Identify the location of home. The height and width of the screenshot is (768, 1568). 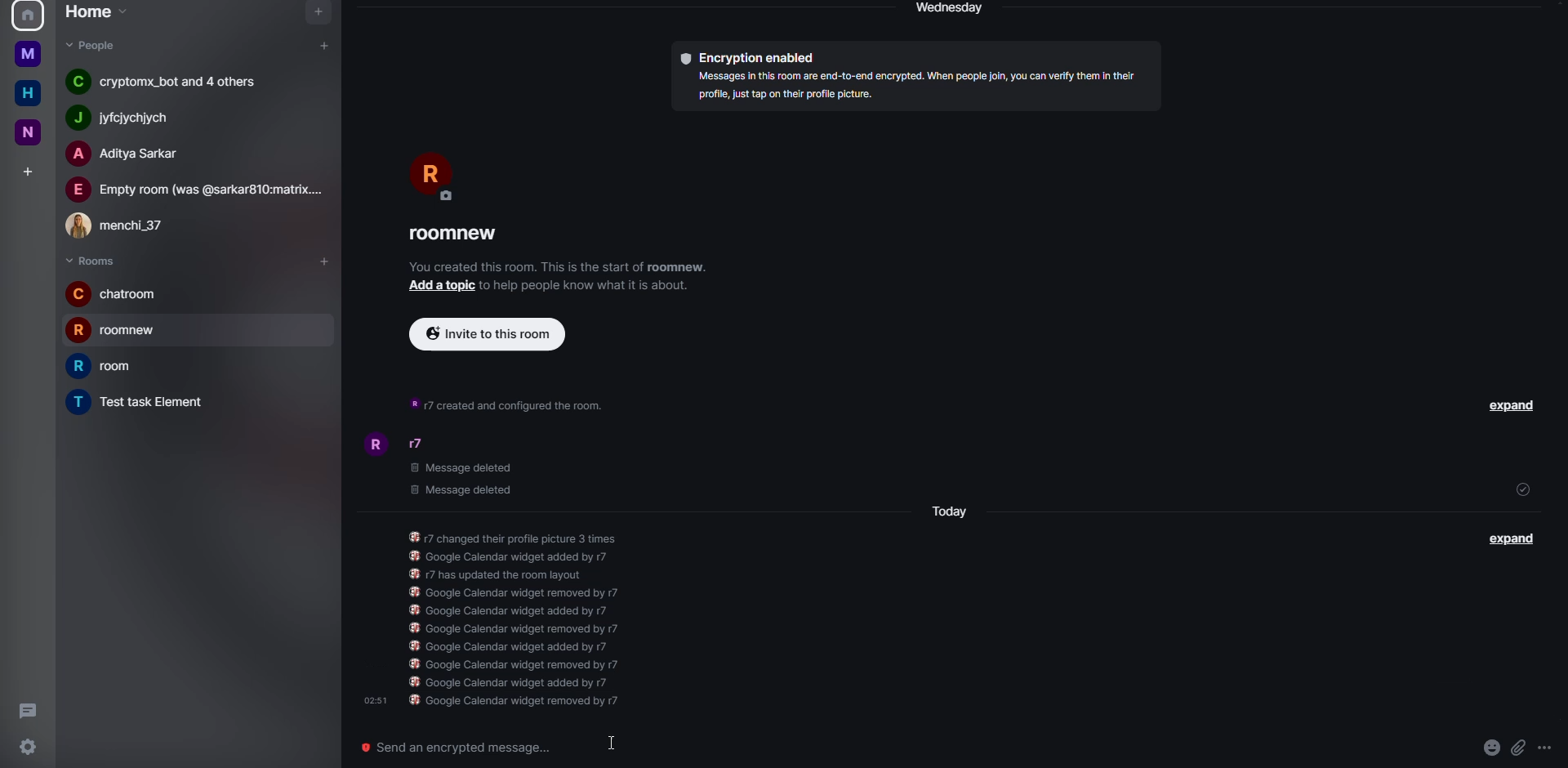
(95, 13).